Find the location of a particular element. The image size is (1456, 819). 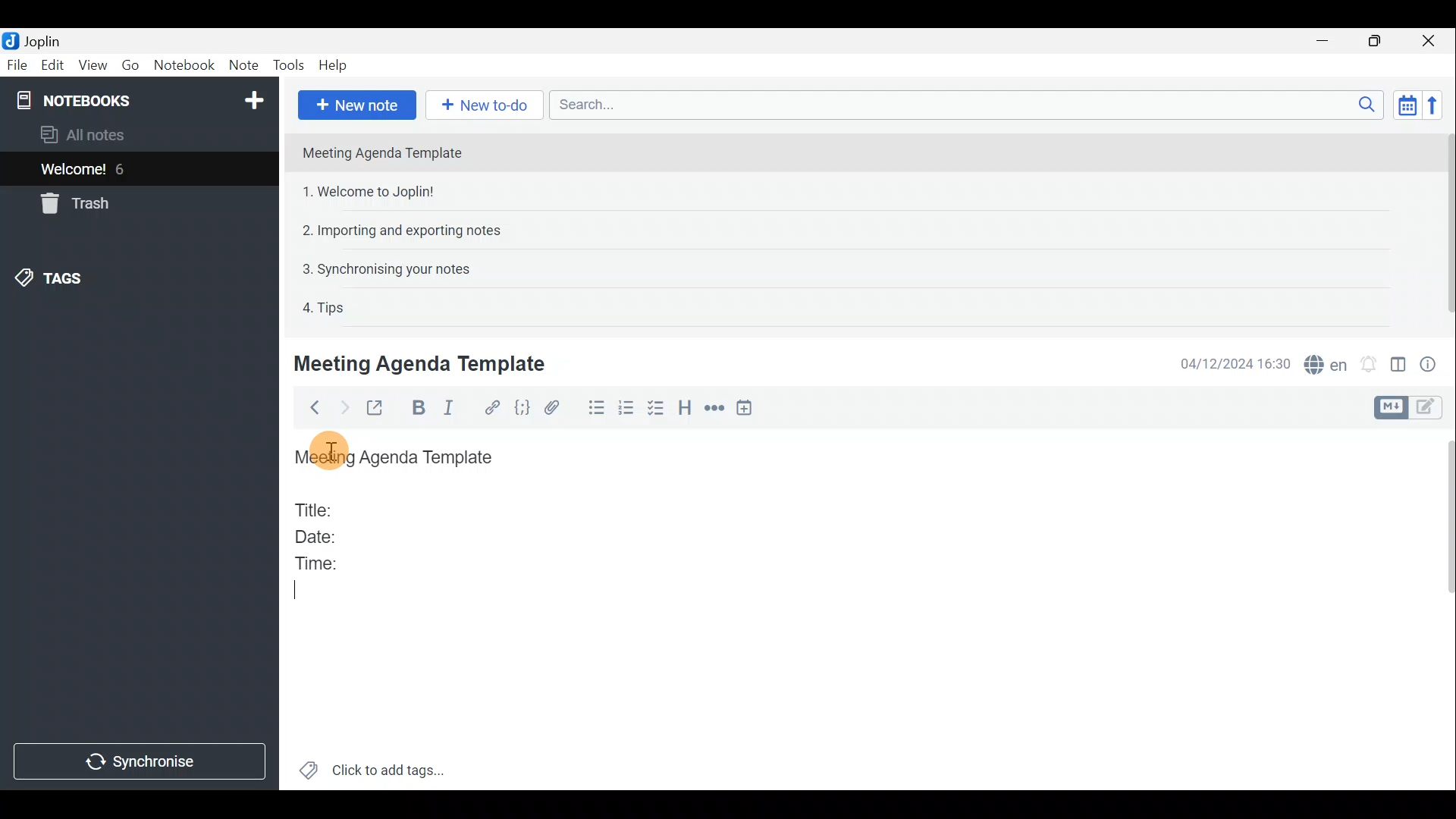

Help is located at coordinates (336, 65).